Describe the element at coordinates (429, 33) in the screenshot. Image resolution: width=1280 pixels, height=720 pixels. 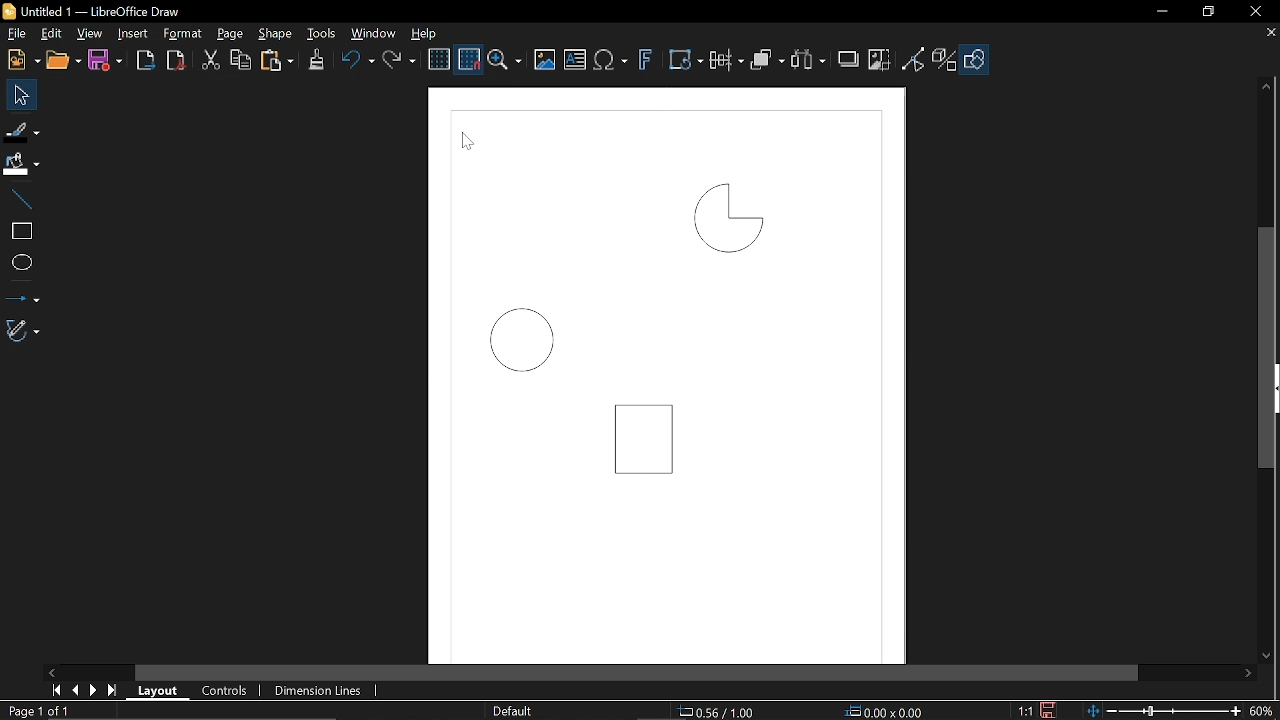
I see `Help` at that location.